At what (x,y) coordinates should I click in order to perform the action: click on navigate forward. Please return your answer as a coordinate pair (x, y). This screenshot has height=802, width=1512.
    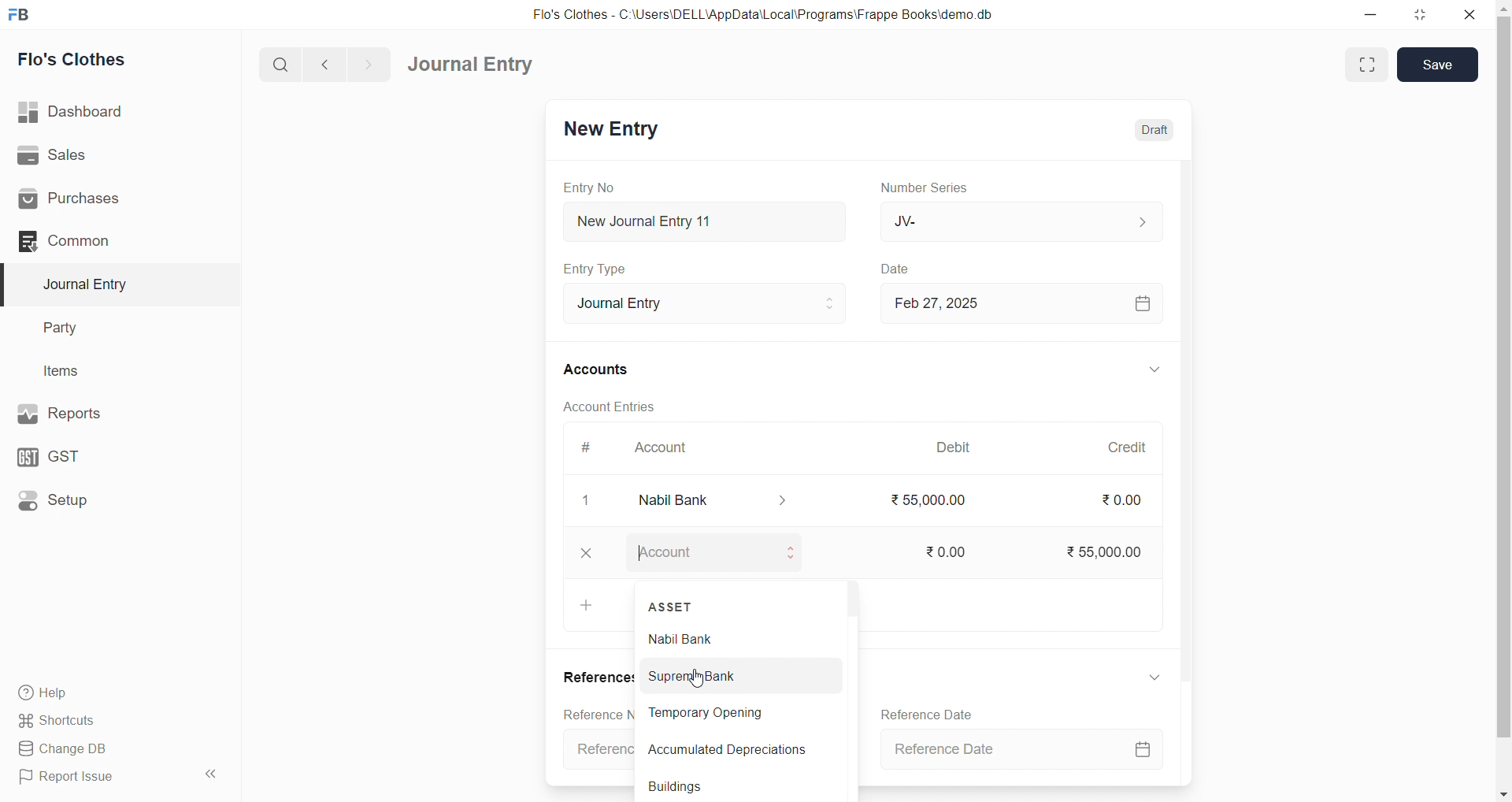
    Looking at the image, I should click on (372, 64).